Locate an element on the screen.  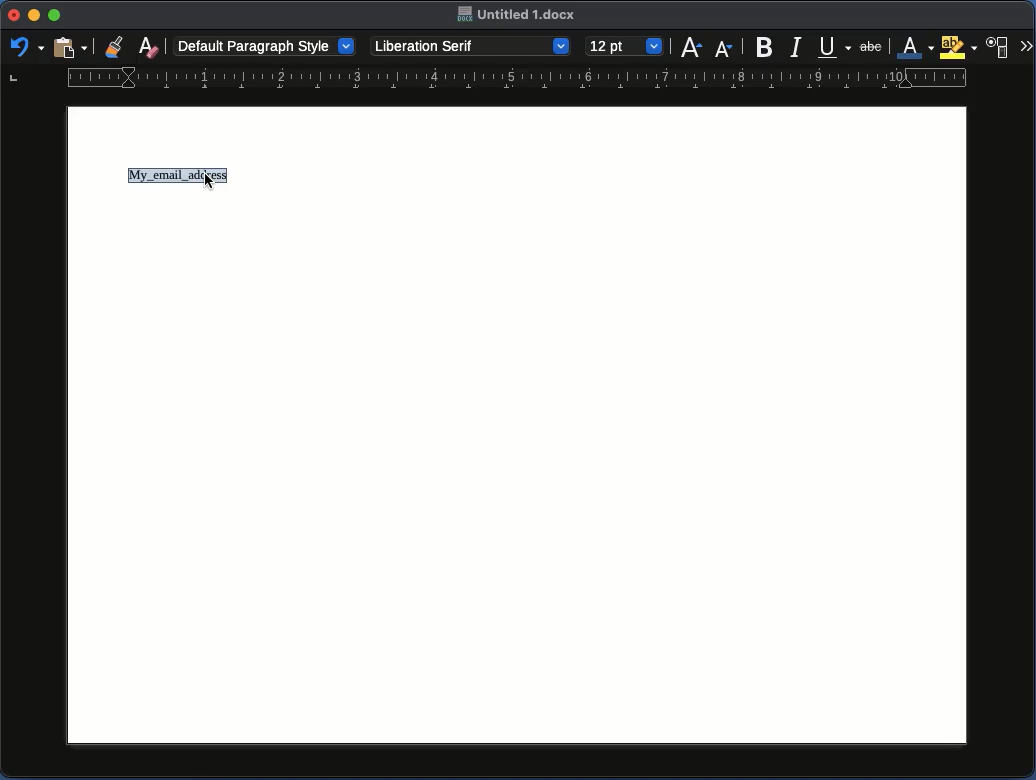
Underline is located at coordinates (833, 45).